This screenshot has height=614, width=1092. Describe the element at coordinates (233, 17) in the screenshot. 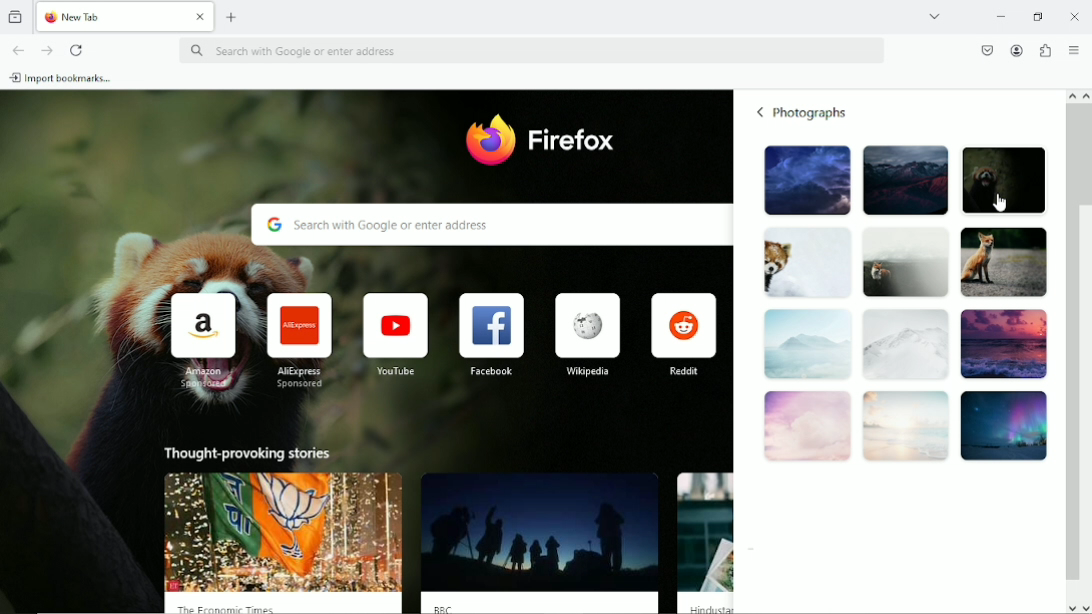

I see `New tab` at that location.